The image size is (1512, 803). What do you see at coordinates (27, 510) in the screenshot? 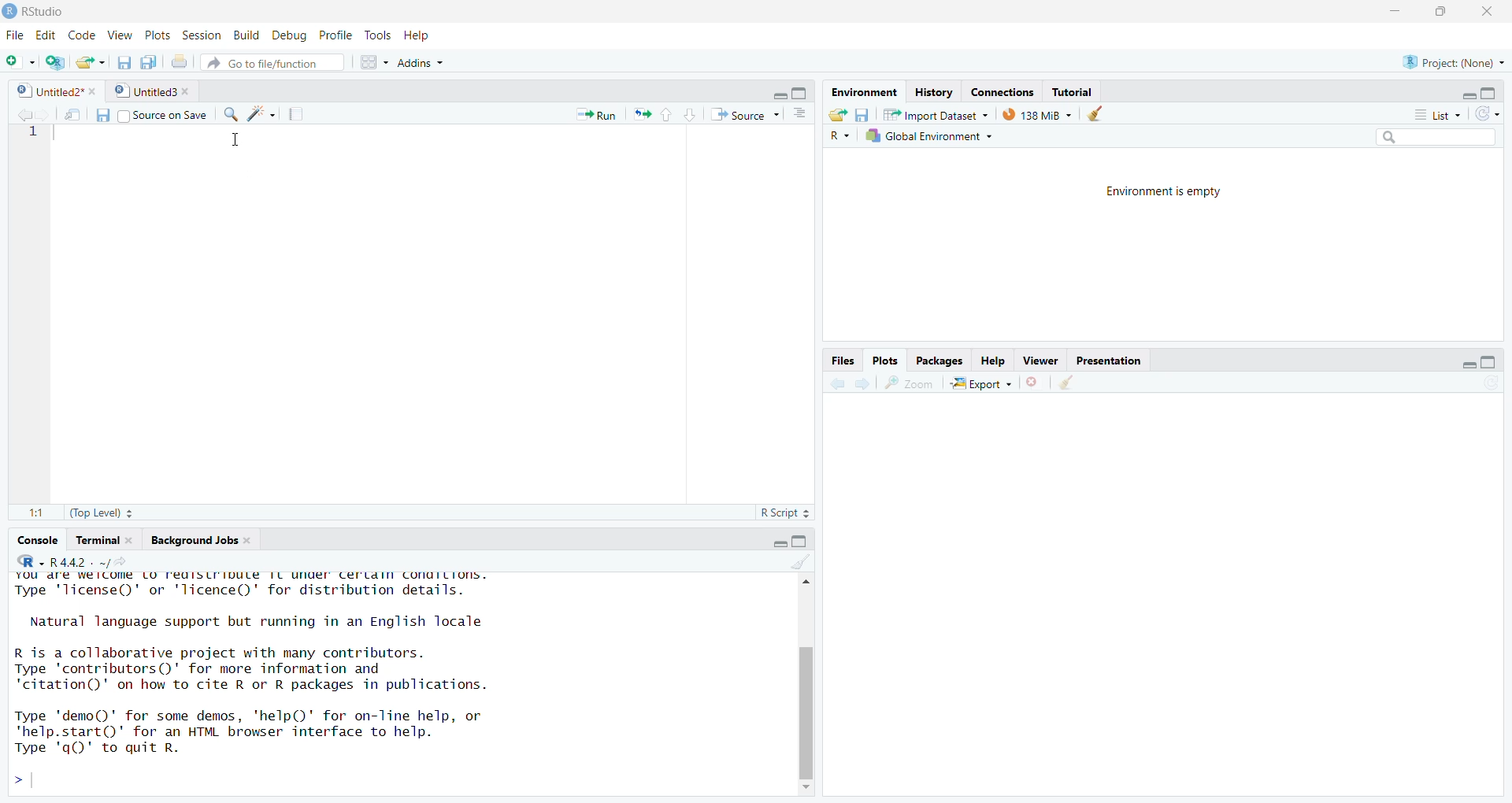
I see `11:11` at bounding box center [27, 510].